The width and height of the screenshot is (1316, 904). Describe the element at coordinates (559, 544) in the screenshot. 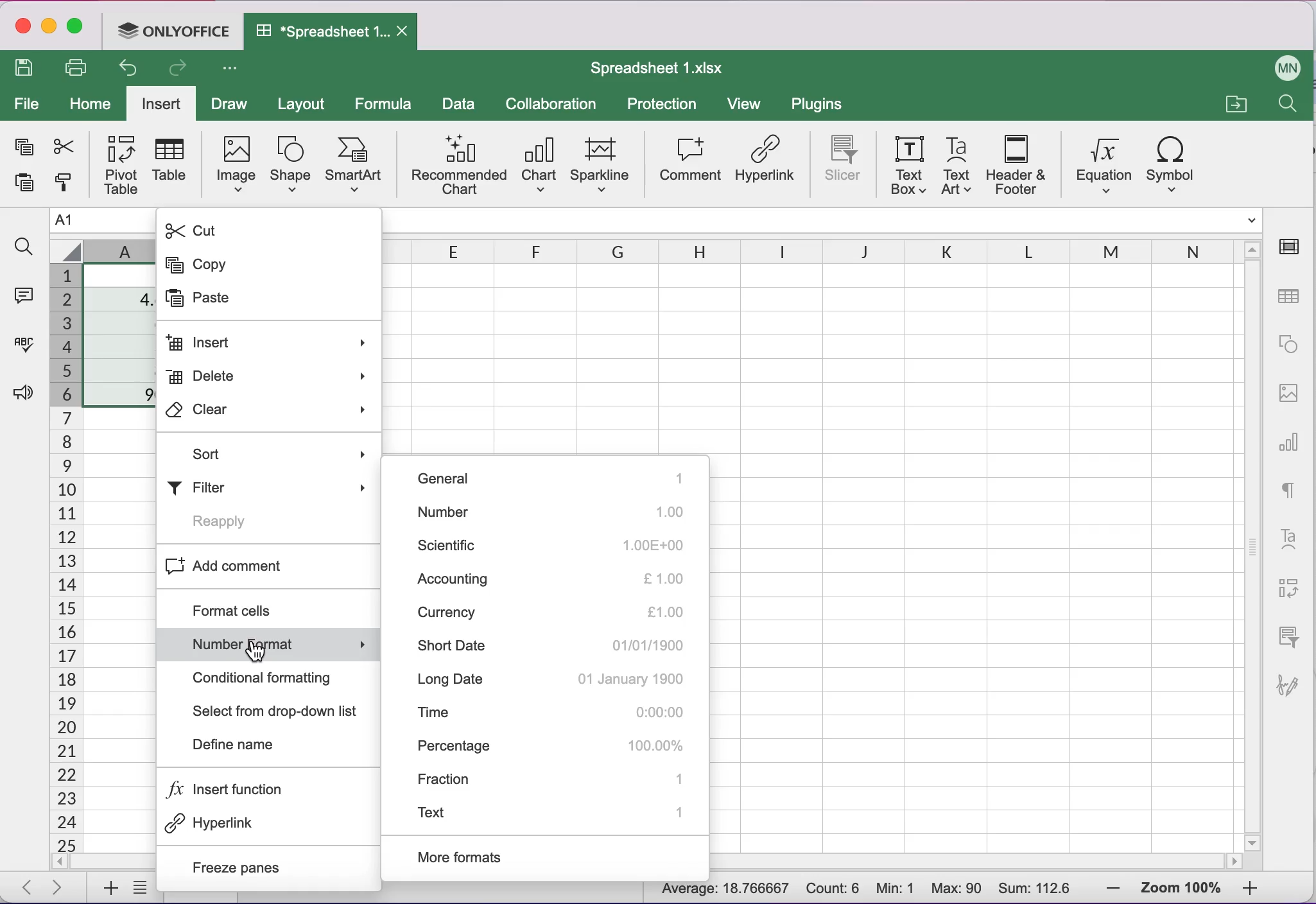

I see `scientific` at that location.